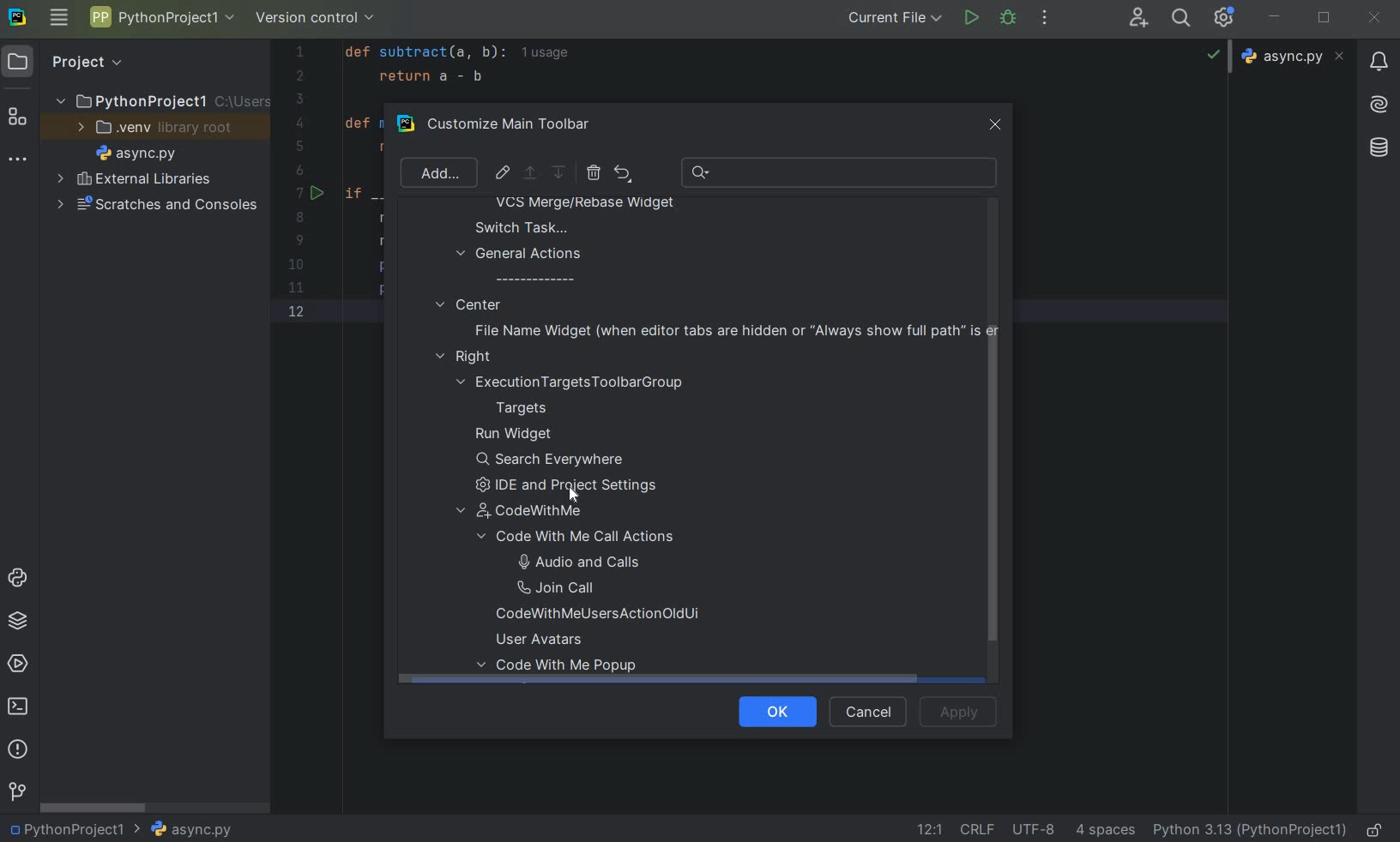 This screenshot has height=842, width=1400. Describe the element at coordinates (161, 20) in the screenshot. I see `PROJECT NAME` at that location.